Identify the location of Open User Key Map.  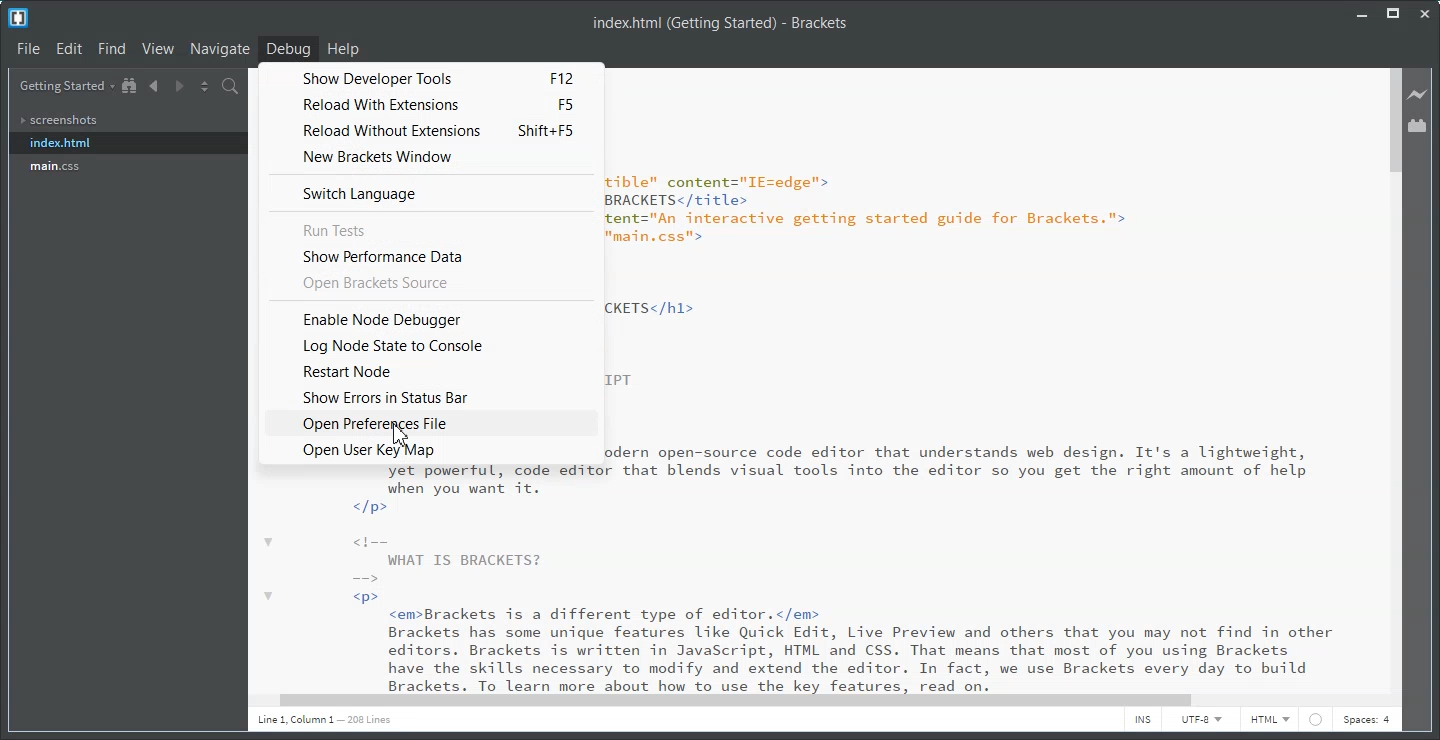
(427, 451).